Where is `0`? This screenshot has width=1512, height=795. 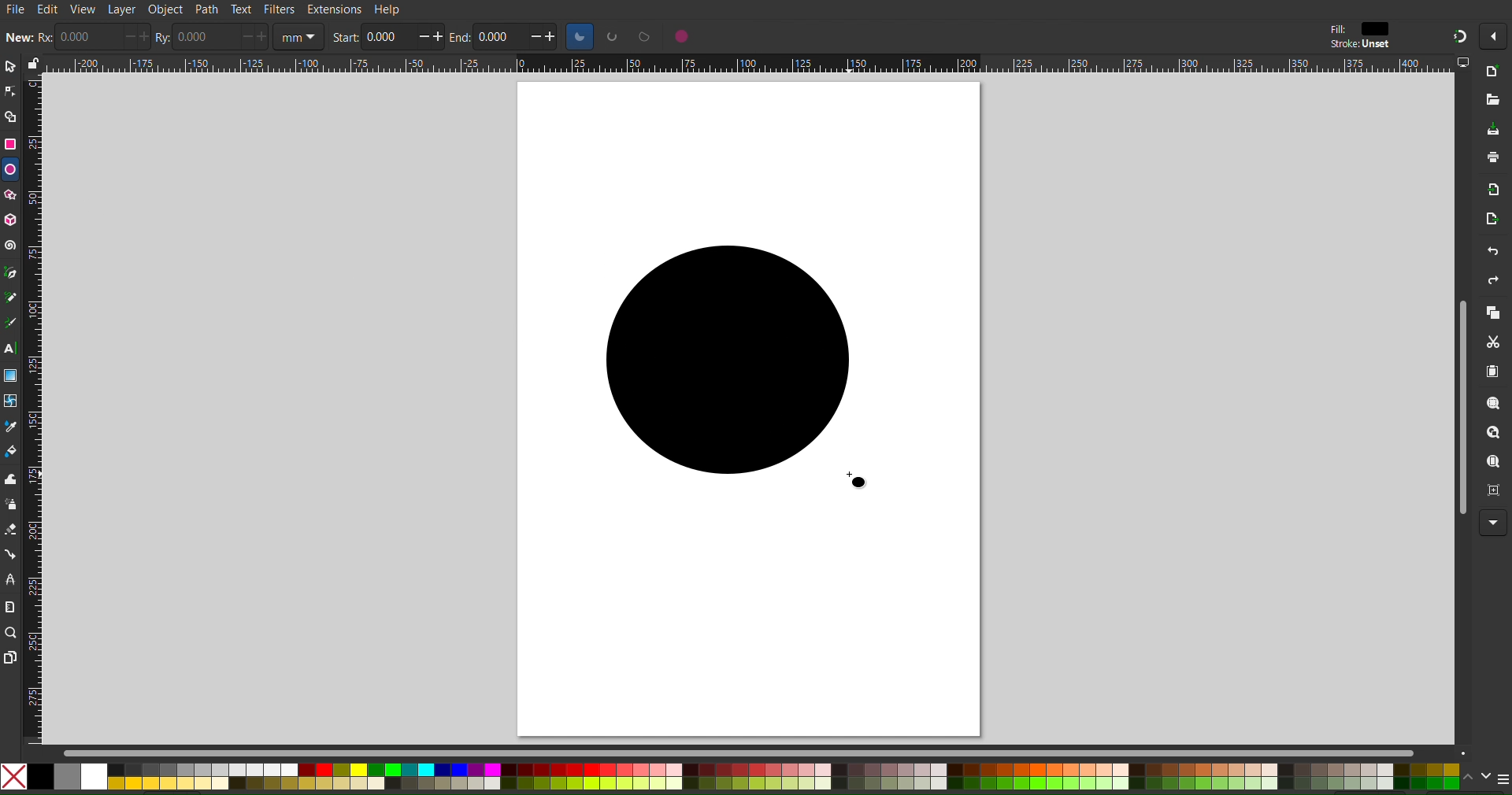 0 is located at coordinates (85, 35).